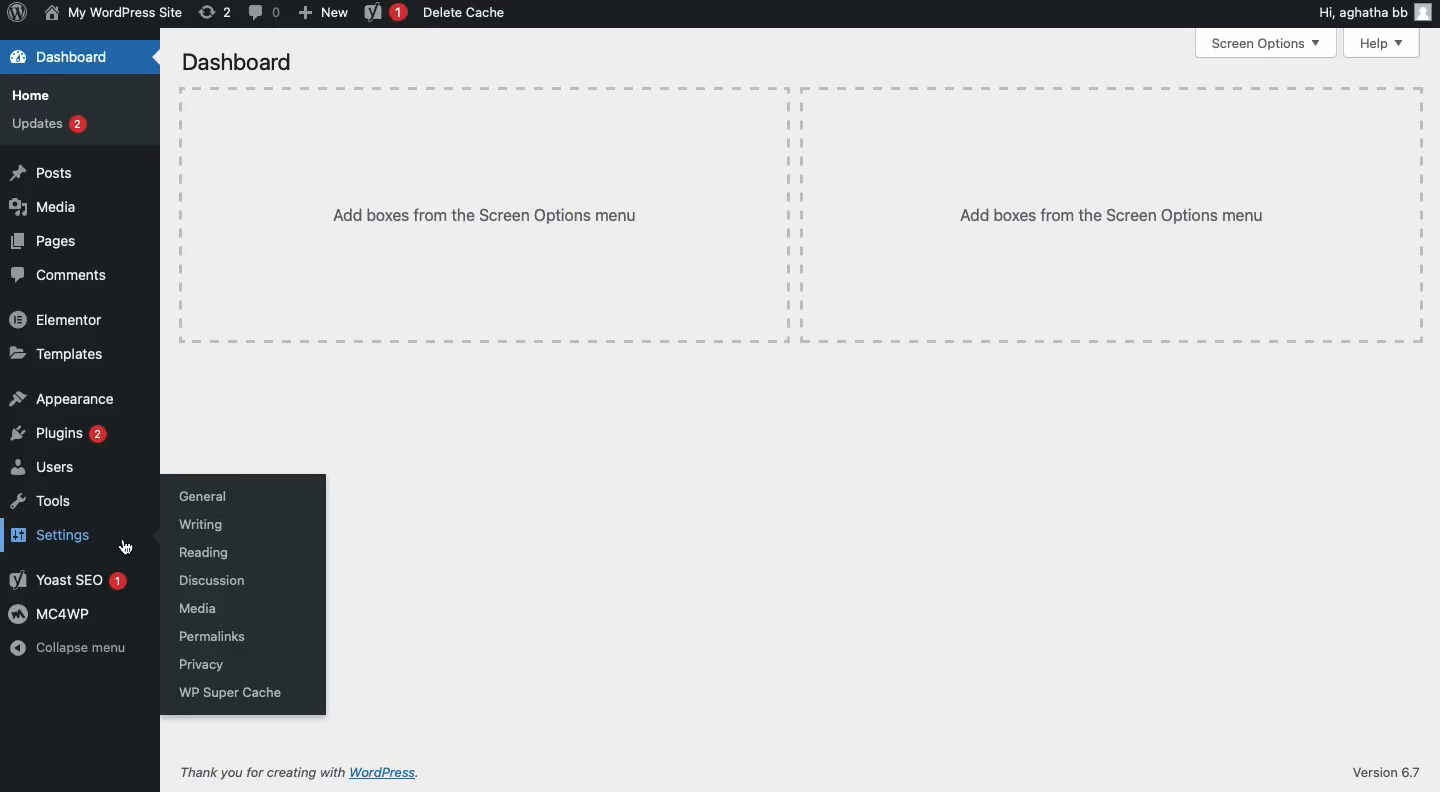 This screenshot has width=1440, height=792. What do you see at coordinates (28, 94) in the screenshot?
I see `Home` at bounding box center [28, 94].